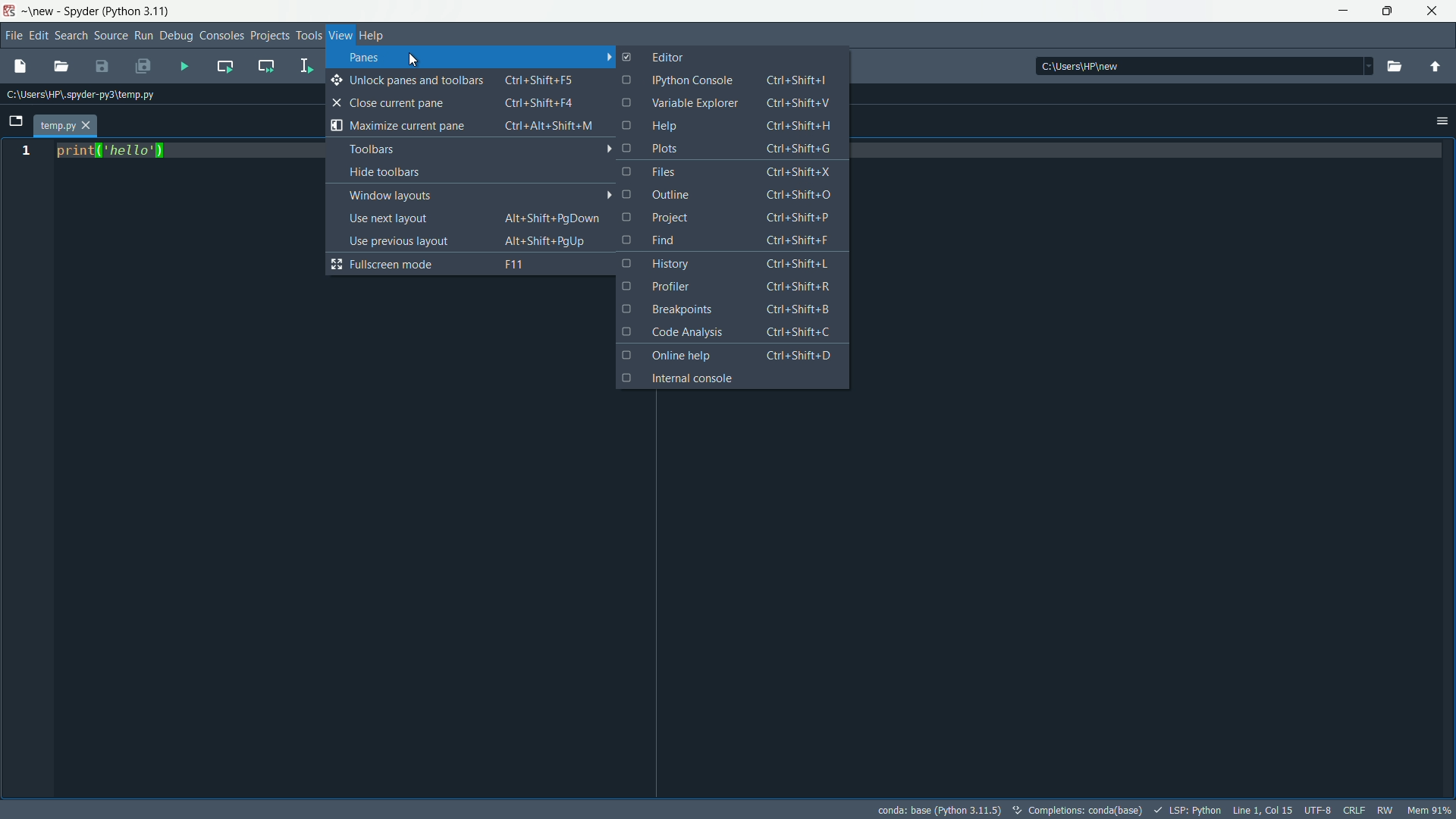 This screenshot has height=819, width=1456. Describe the element at coordinates (63, 67) in the screenshot. I see `open file` at that location.